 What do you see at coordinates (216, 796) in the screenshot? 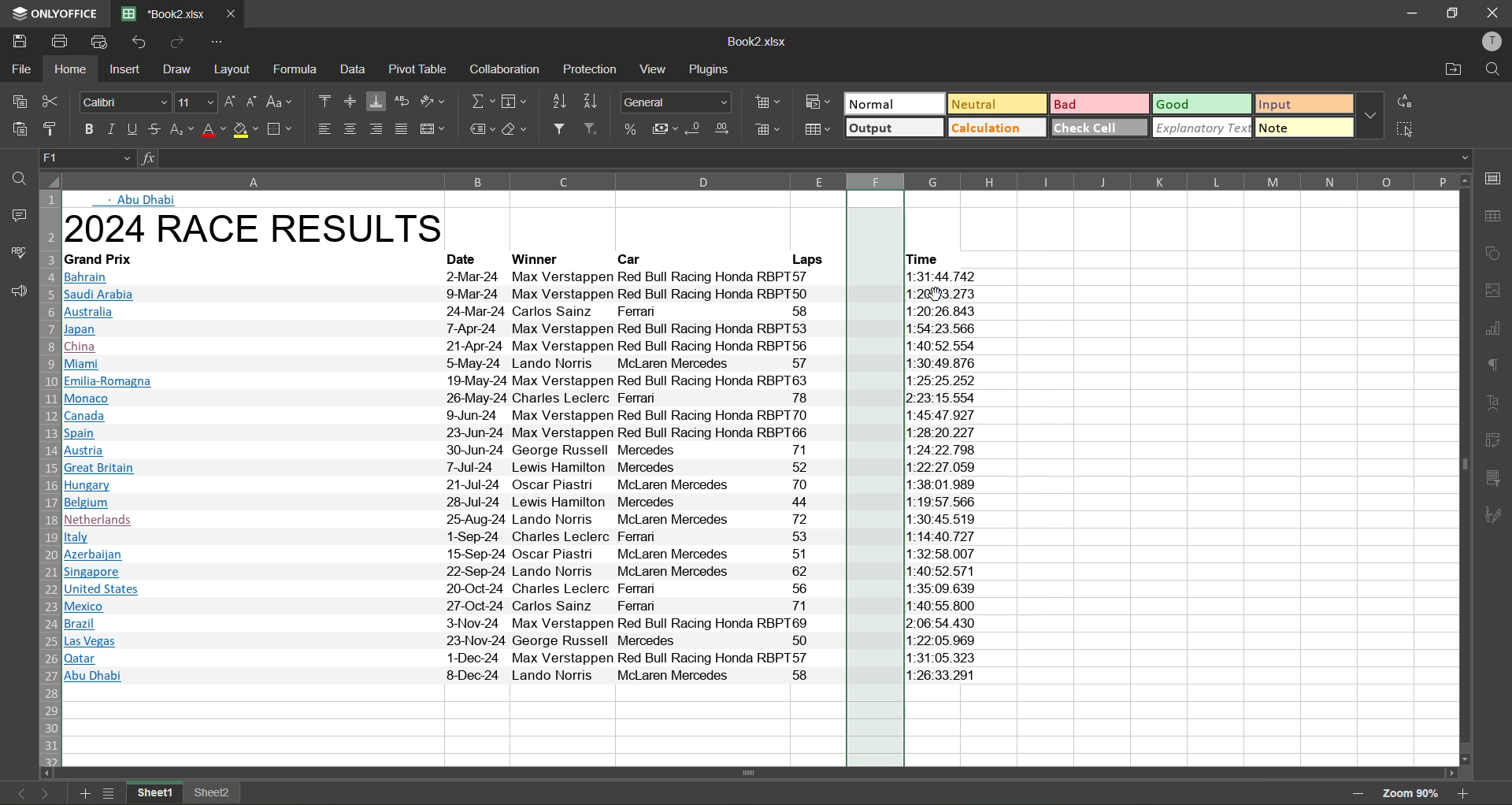
I see `sheet2 ` at bounding box center [216, 796].